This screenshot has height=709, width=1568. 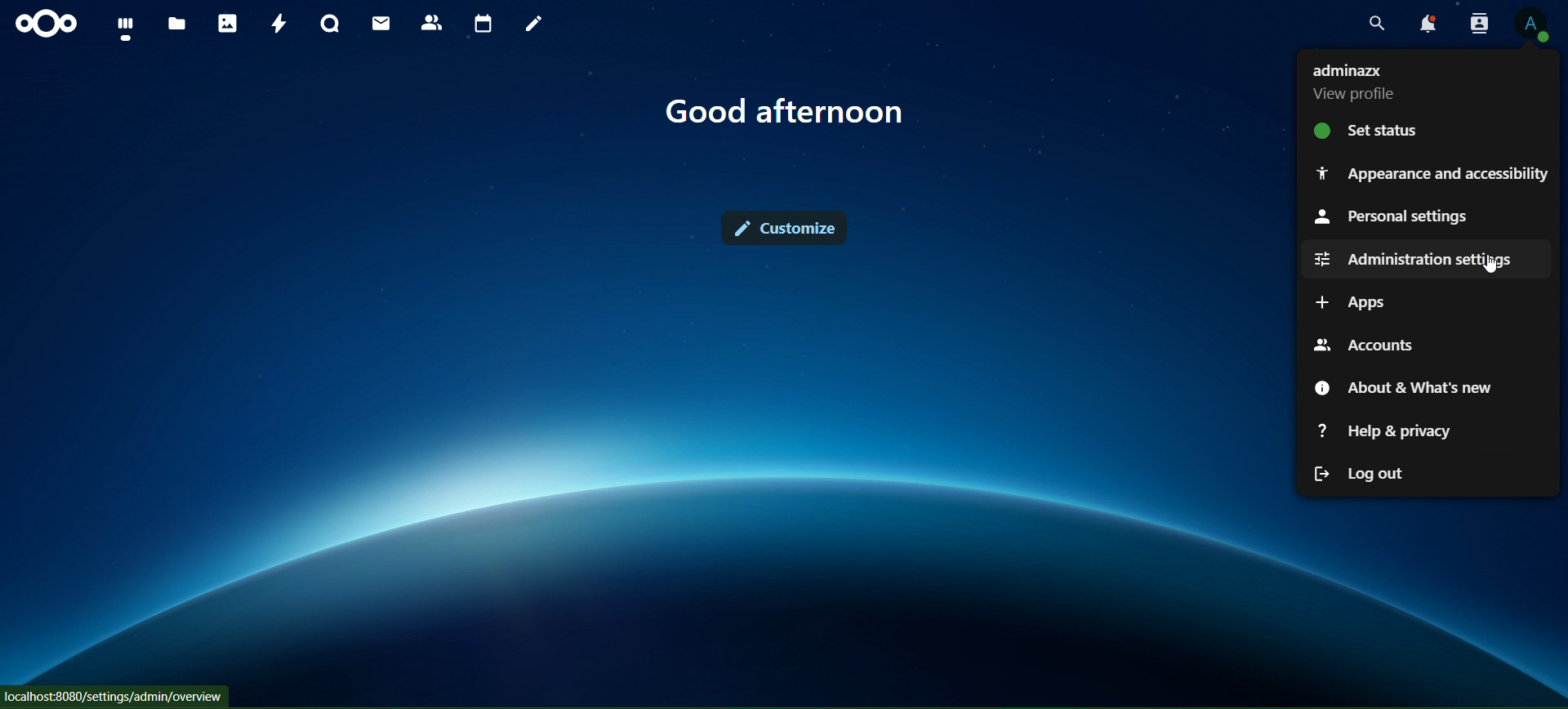 What do you see at coordinates (484, 24) in the screenshot?
I see `calendar` at bounding box center [484, 24].